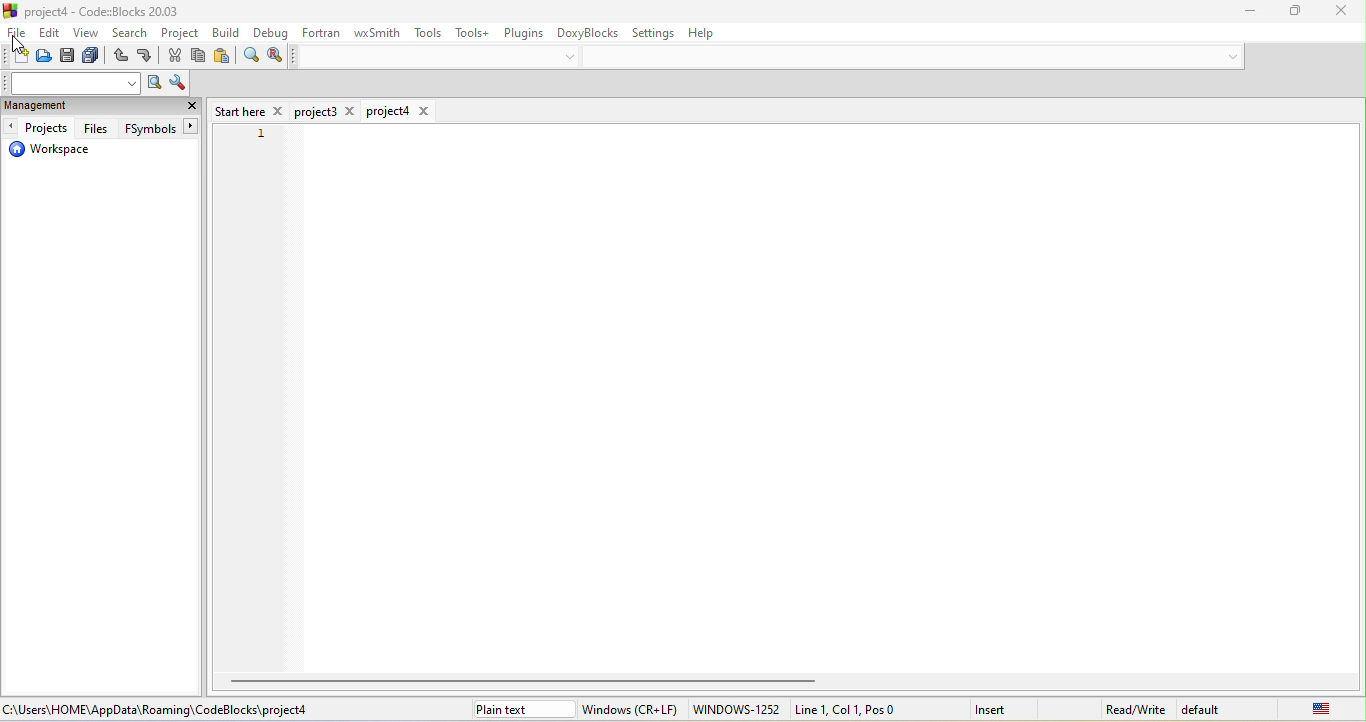 The image size is (1366, 722). What do you see at coordinates (250, 58) in the screenshot?
I see `find` at bounding box center [250, 58].